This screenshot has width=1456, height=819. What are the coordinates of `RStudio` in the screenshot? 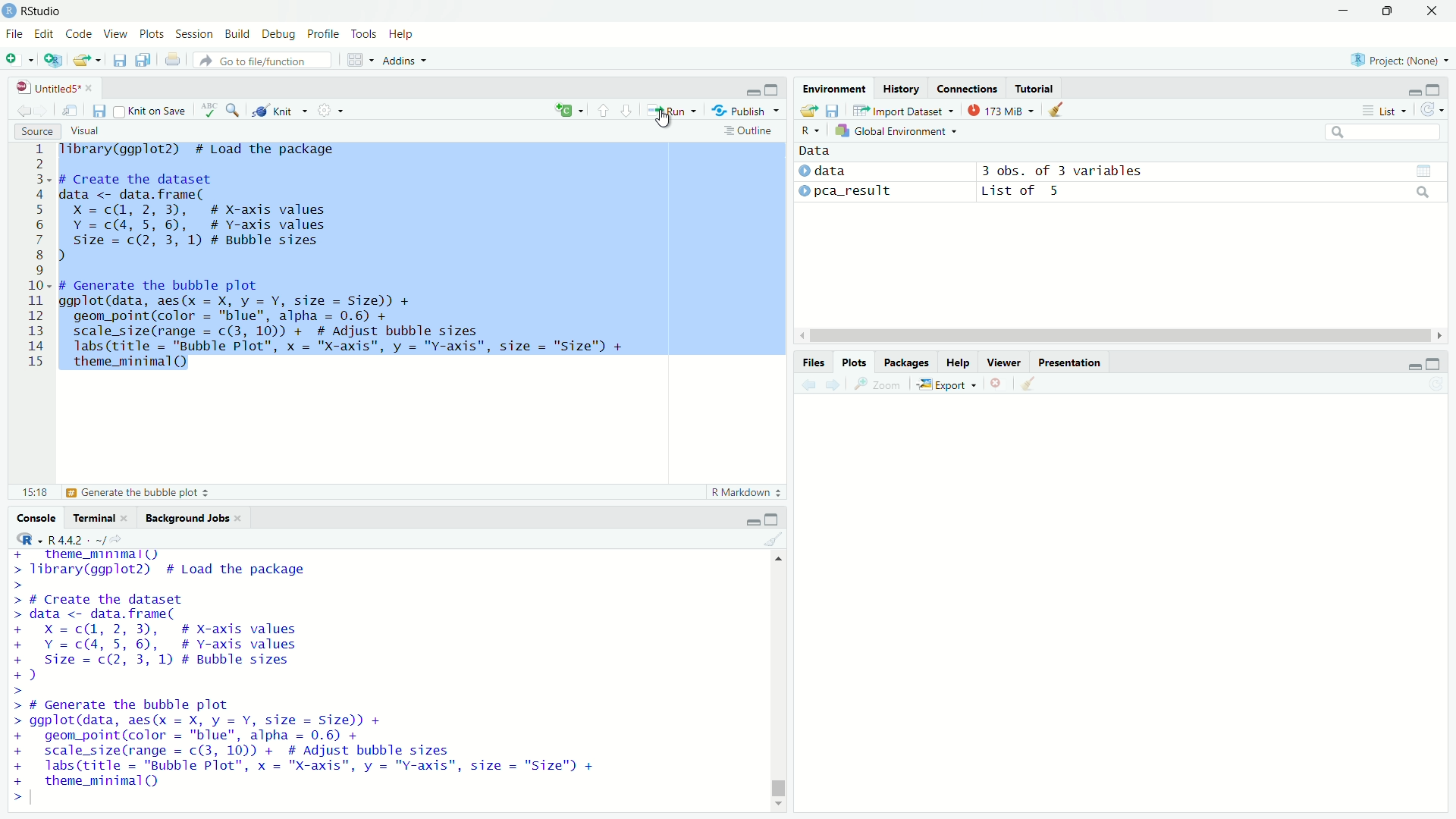 It's located at (42, 11).